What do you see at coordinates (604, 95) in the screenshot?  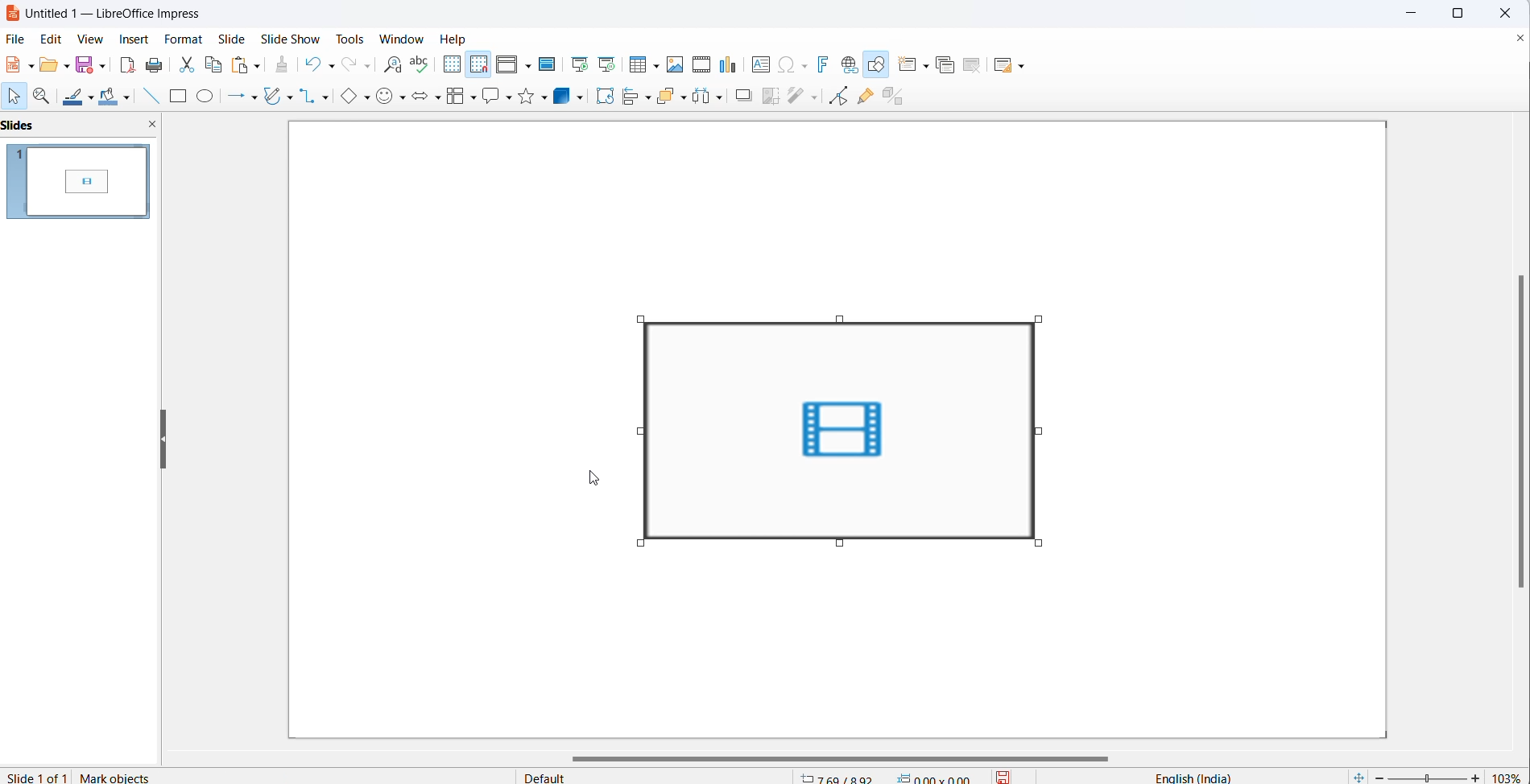 I see `rotate` at bounding box center [604, 95].